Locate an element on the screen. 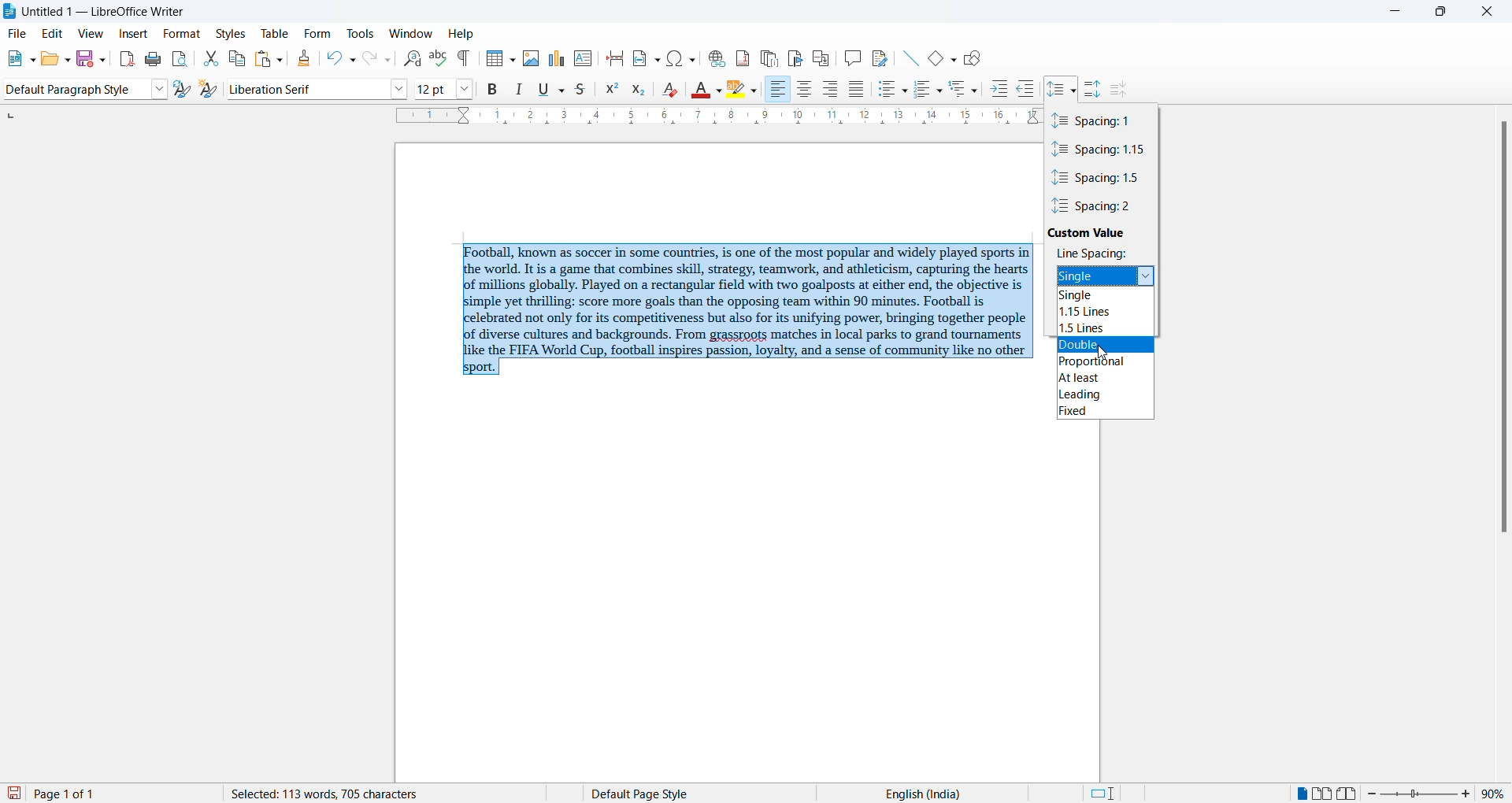 This screenshot has height=803, width=1512. text align center is located at coordinates (805, 90).